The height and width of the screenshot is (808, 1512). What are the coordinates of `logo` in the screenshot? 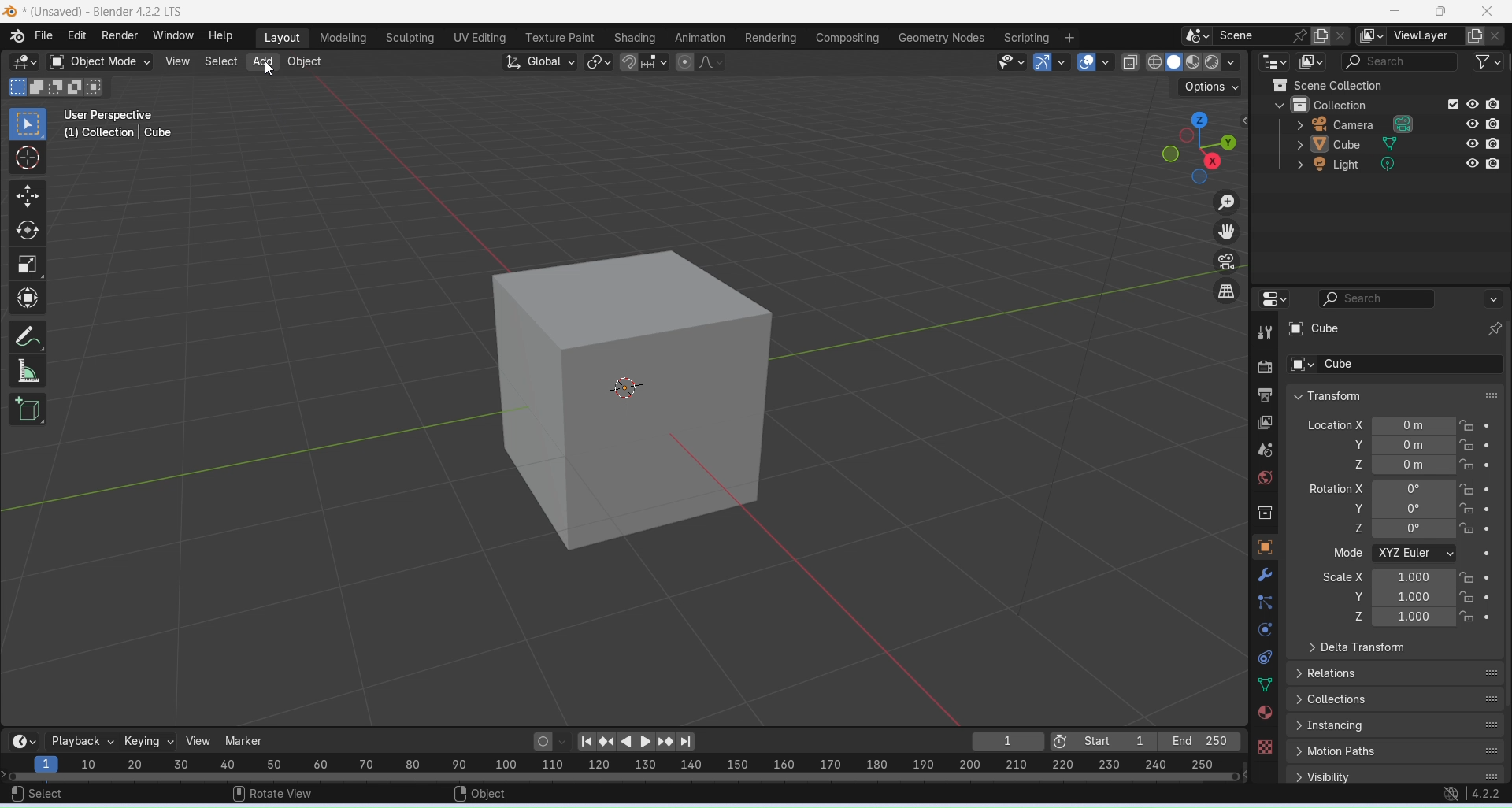 It's located at (10, 13).